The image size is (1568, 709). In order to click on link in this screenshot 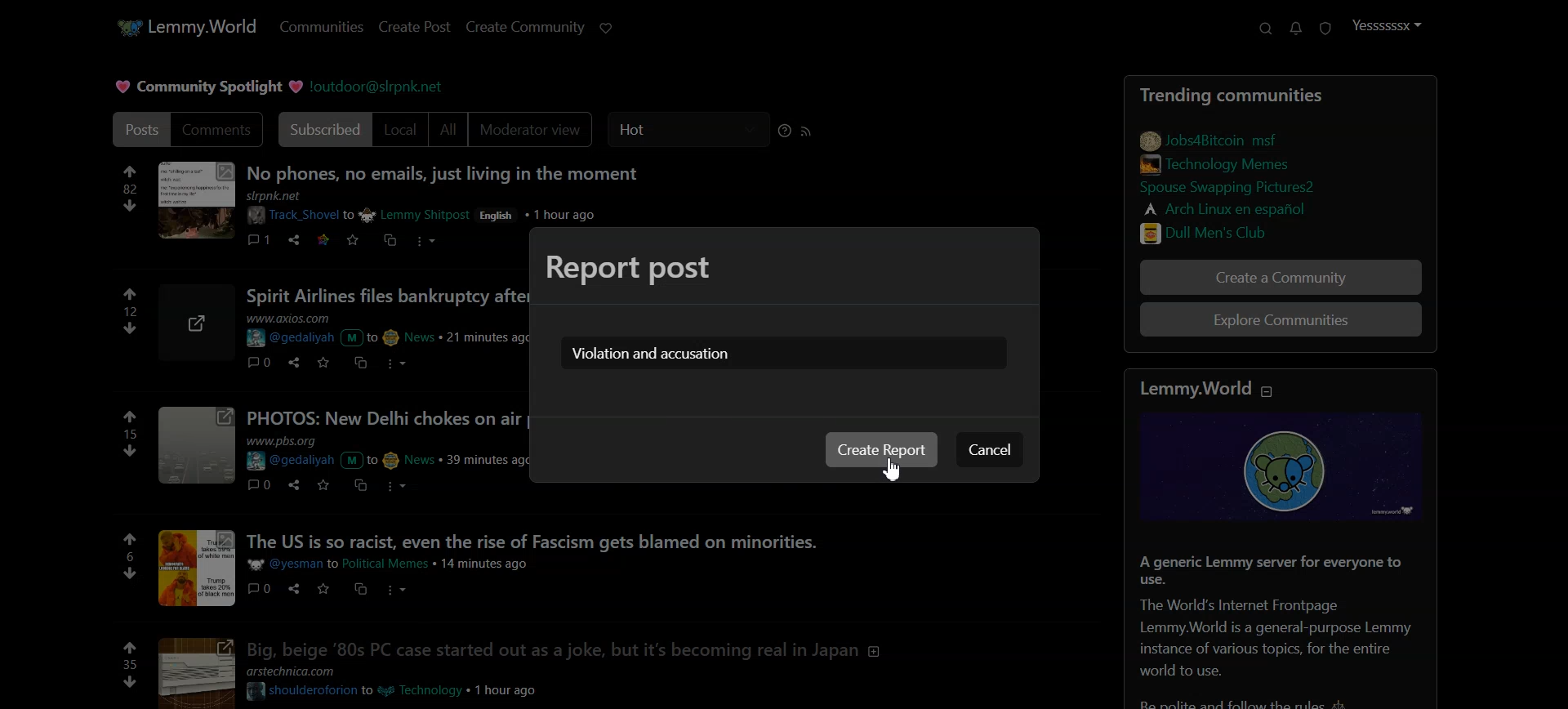, I will do `click(321, 239)`.